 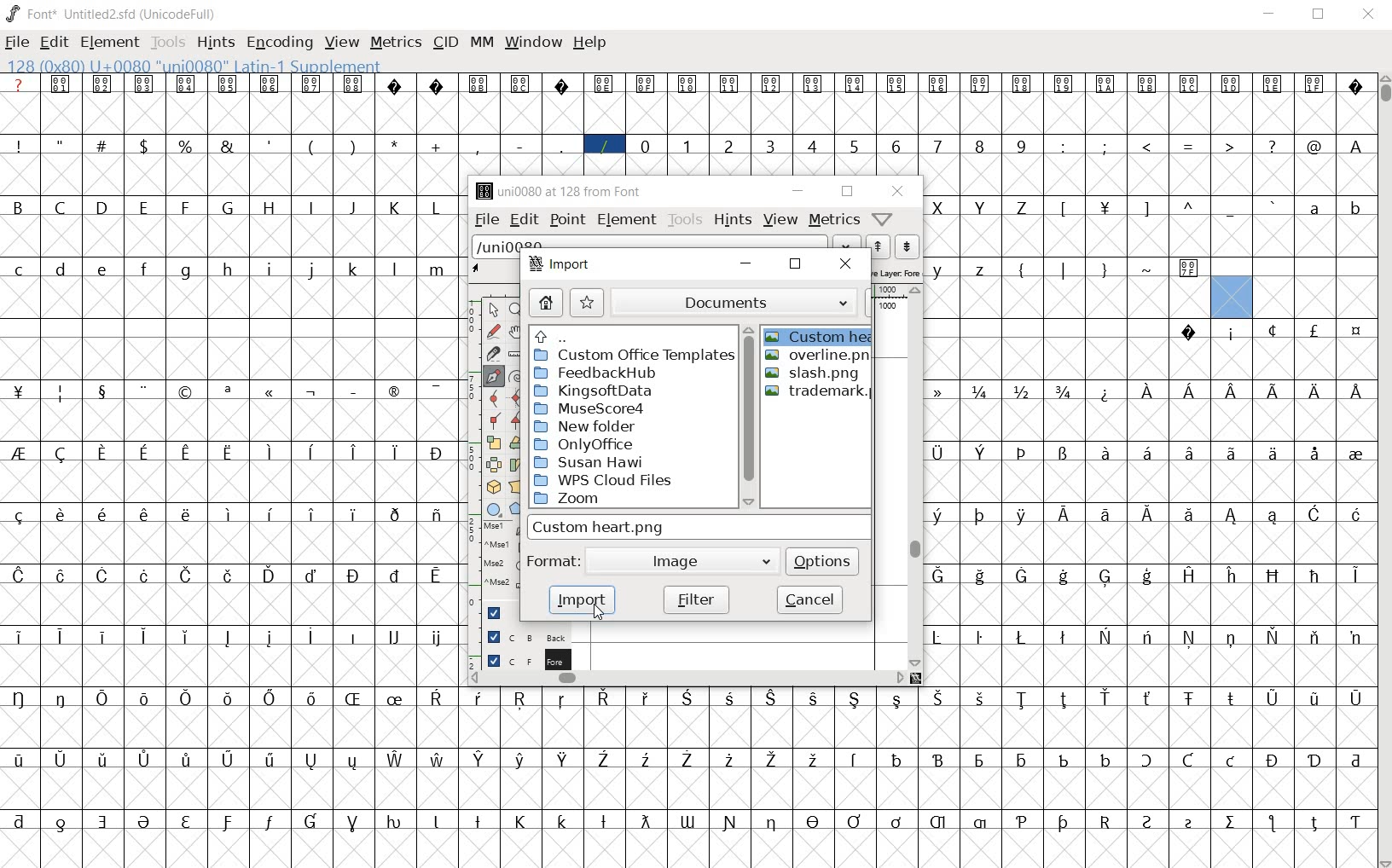 What do you see at coordinates (187, 759) in the screenshot?
I see `glyph` at bounding box center [187, 759].